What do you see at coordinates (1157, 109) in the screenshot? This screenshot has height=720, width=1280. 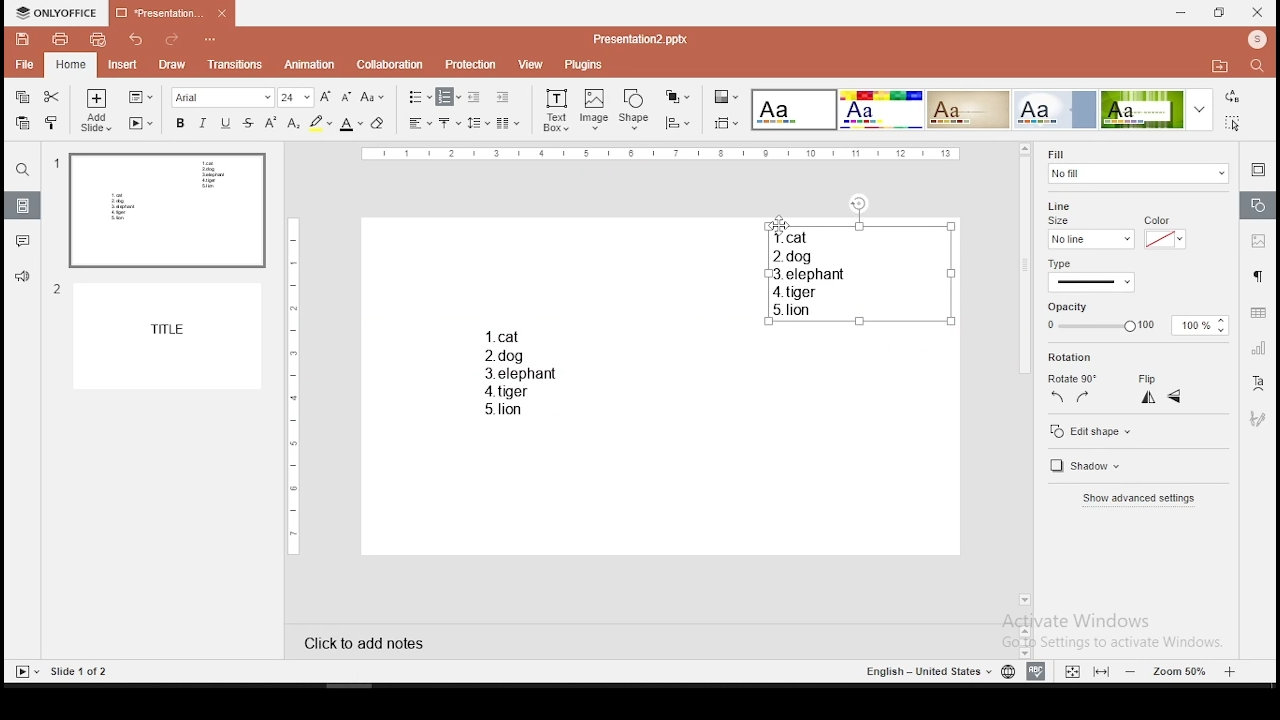 I see `theme` at bounding box center [1157, 109].